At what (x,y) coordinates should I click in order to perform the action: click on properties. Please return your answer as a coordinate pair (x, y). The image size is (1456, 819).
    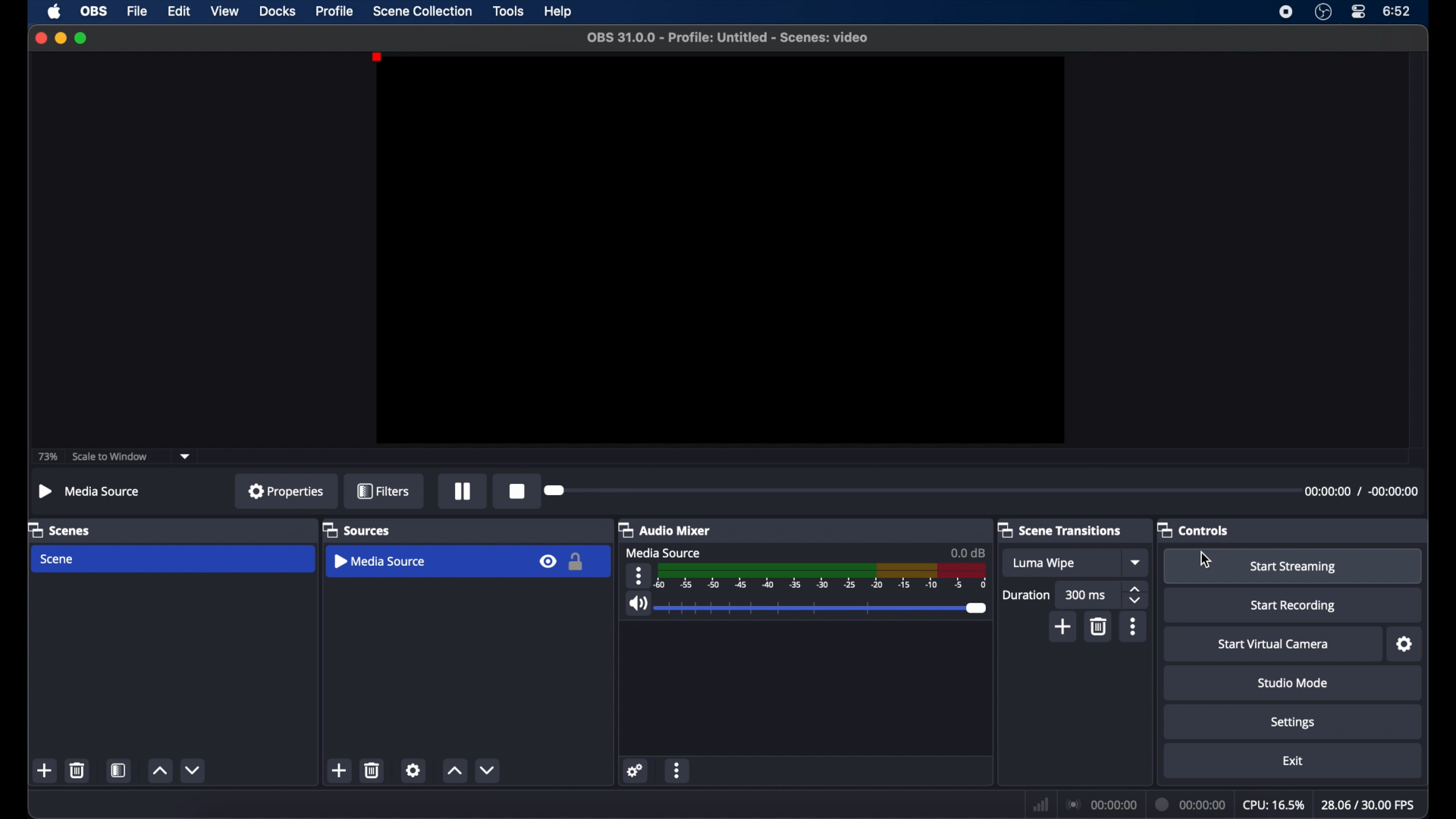
    Looking at the image, I should click on (287, 491).